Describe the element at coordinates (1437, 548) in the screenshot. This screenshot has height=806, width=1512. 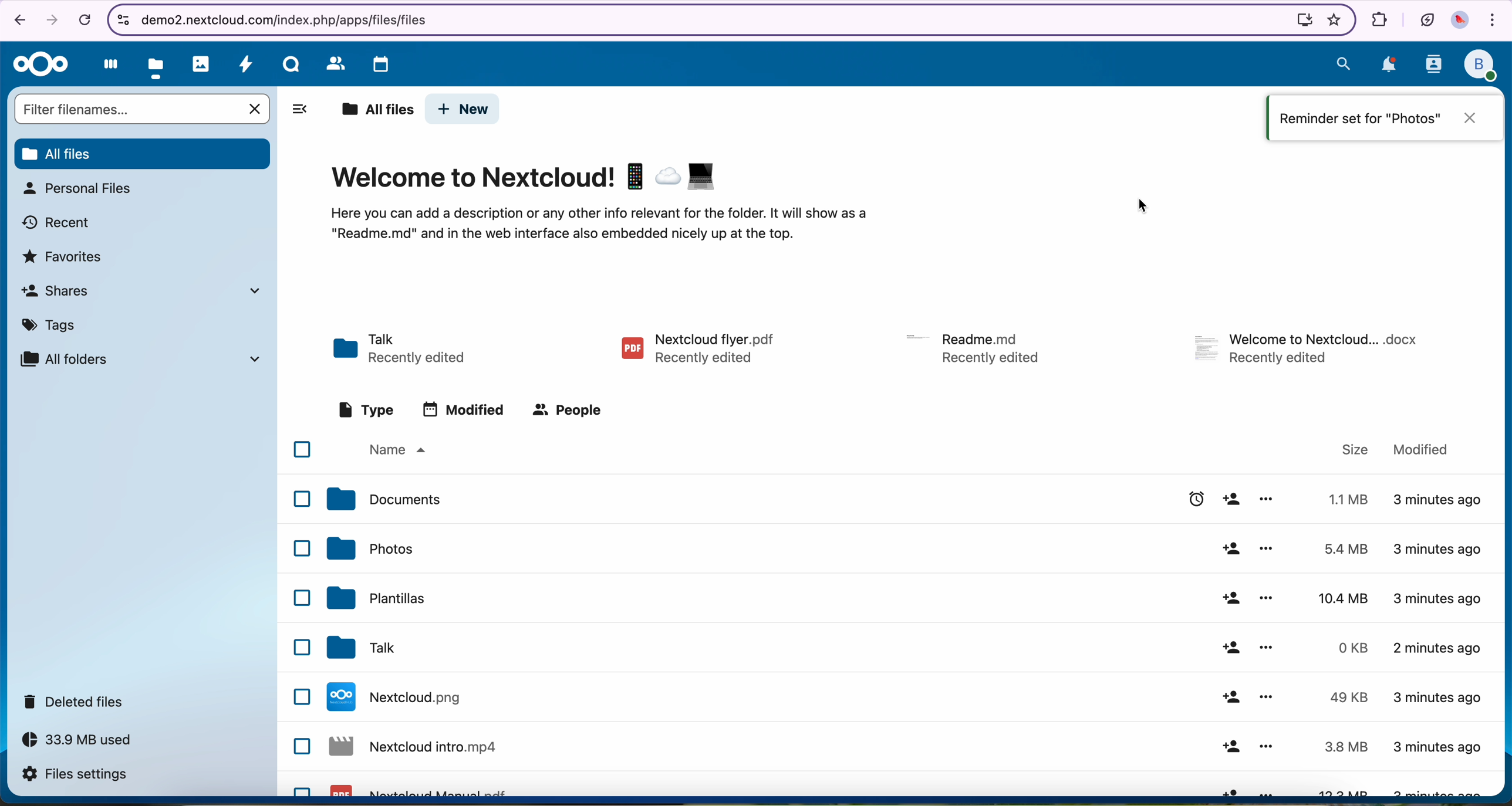
I see `3 minutes ago` at that location.